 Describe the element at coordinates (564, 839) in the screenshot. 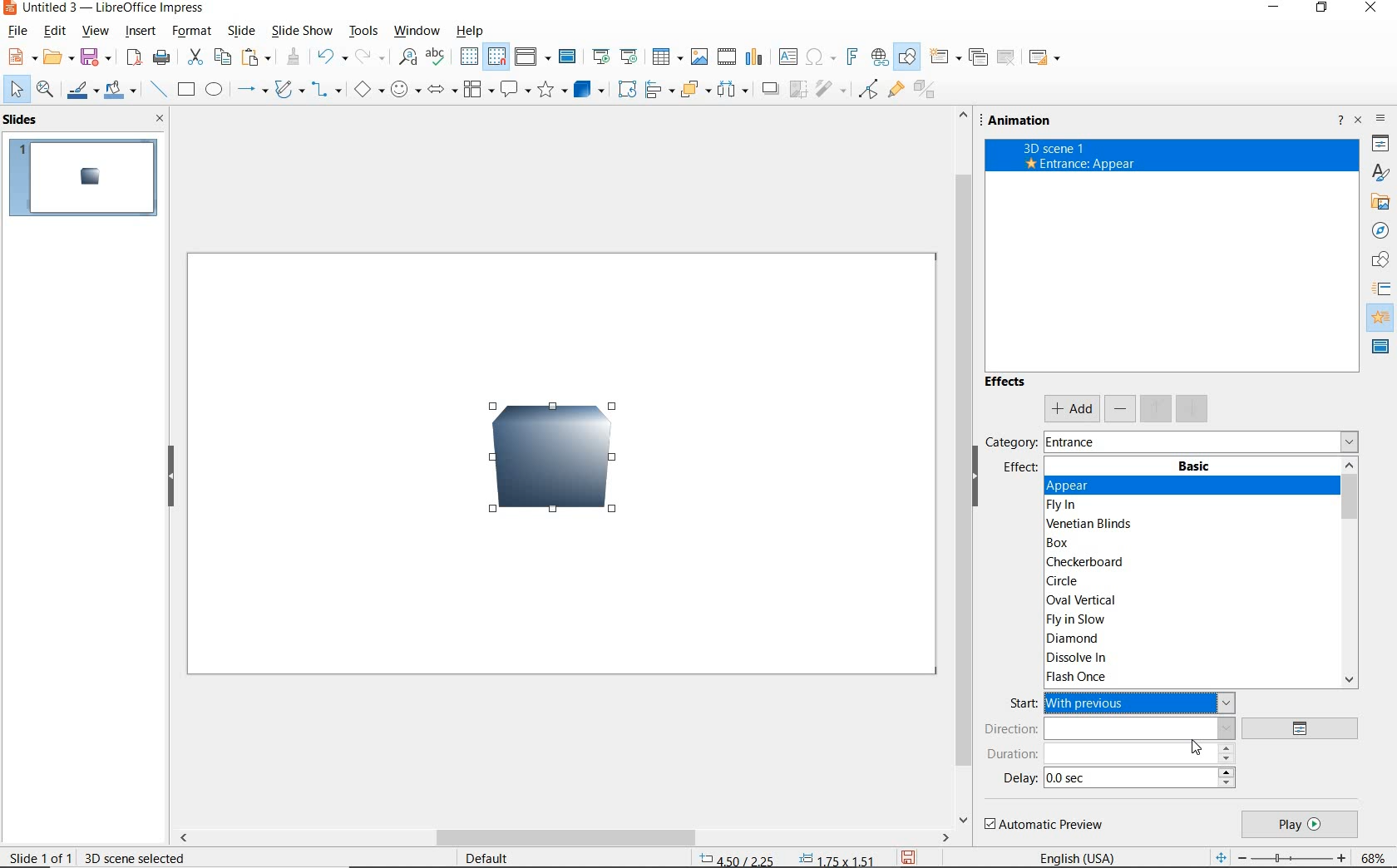

I see `scrollbar` at that location.